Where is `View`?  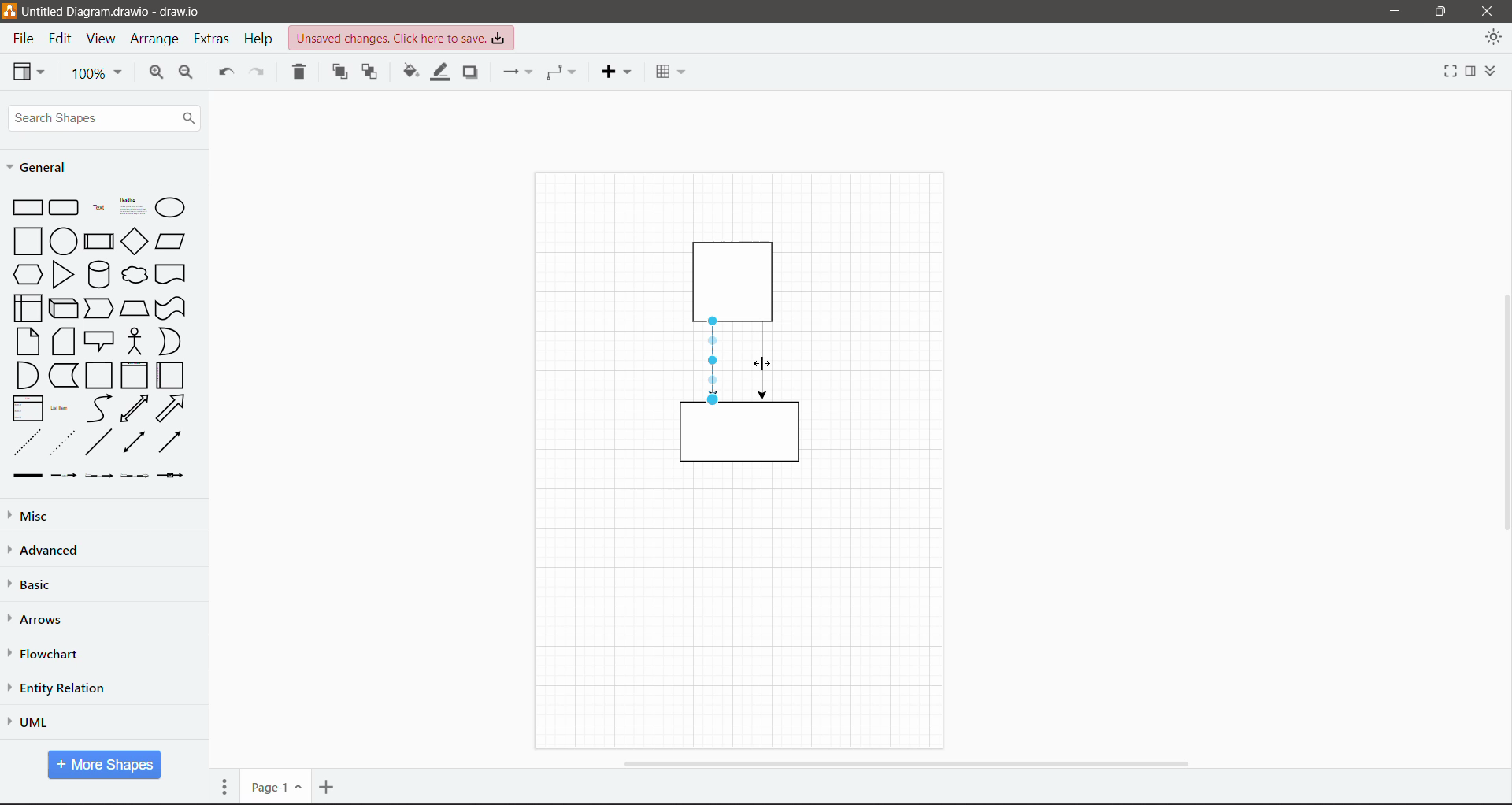 View is located at coordinates (101, 39).